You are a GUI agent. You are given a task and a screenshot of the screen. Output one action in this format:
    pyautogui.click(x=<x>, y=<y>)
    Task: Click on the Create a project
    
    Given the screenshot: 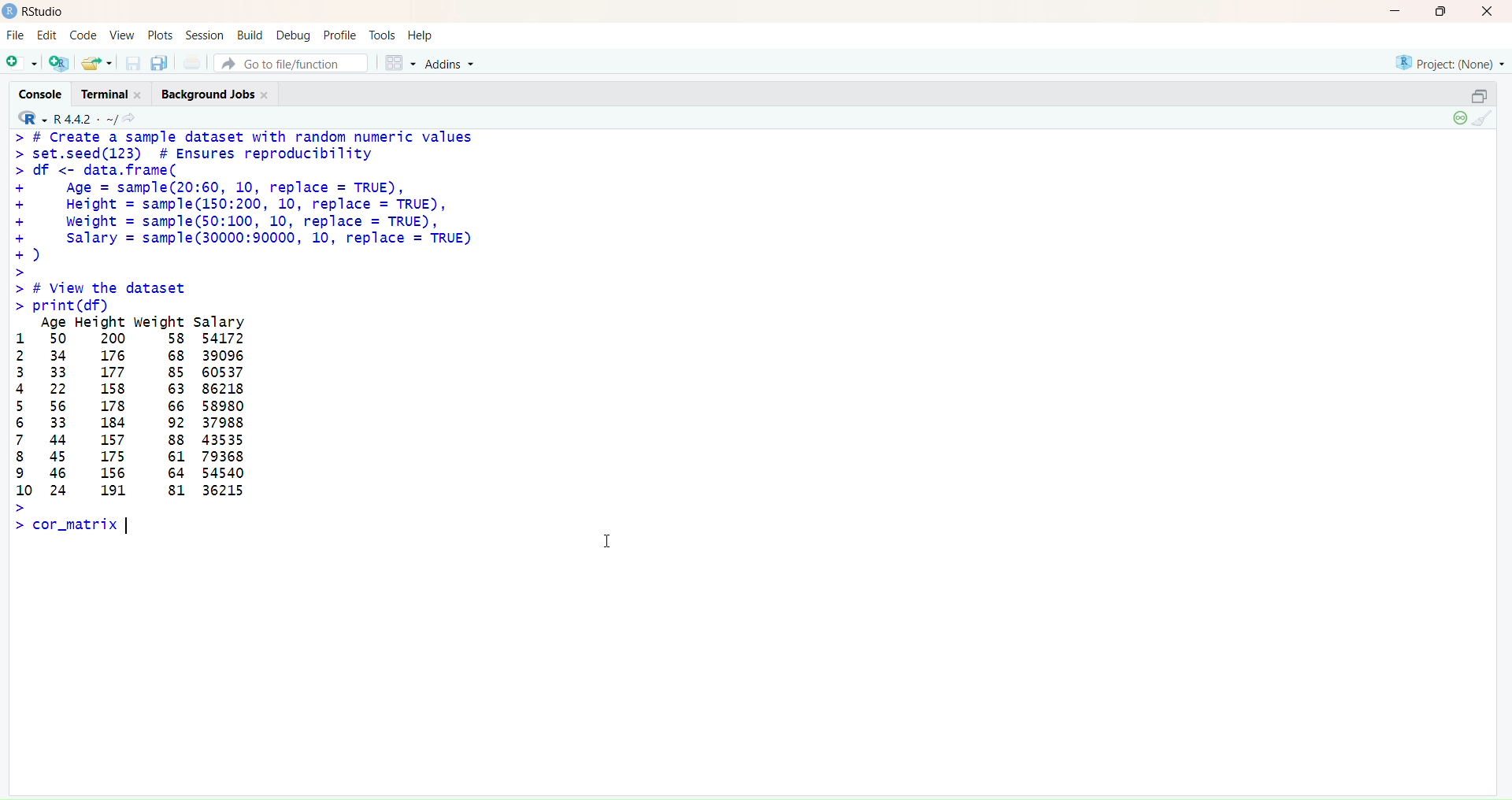 What is the action you would take?
    pyautogui.click(x=57, y=61)
    